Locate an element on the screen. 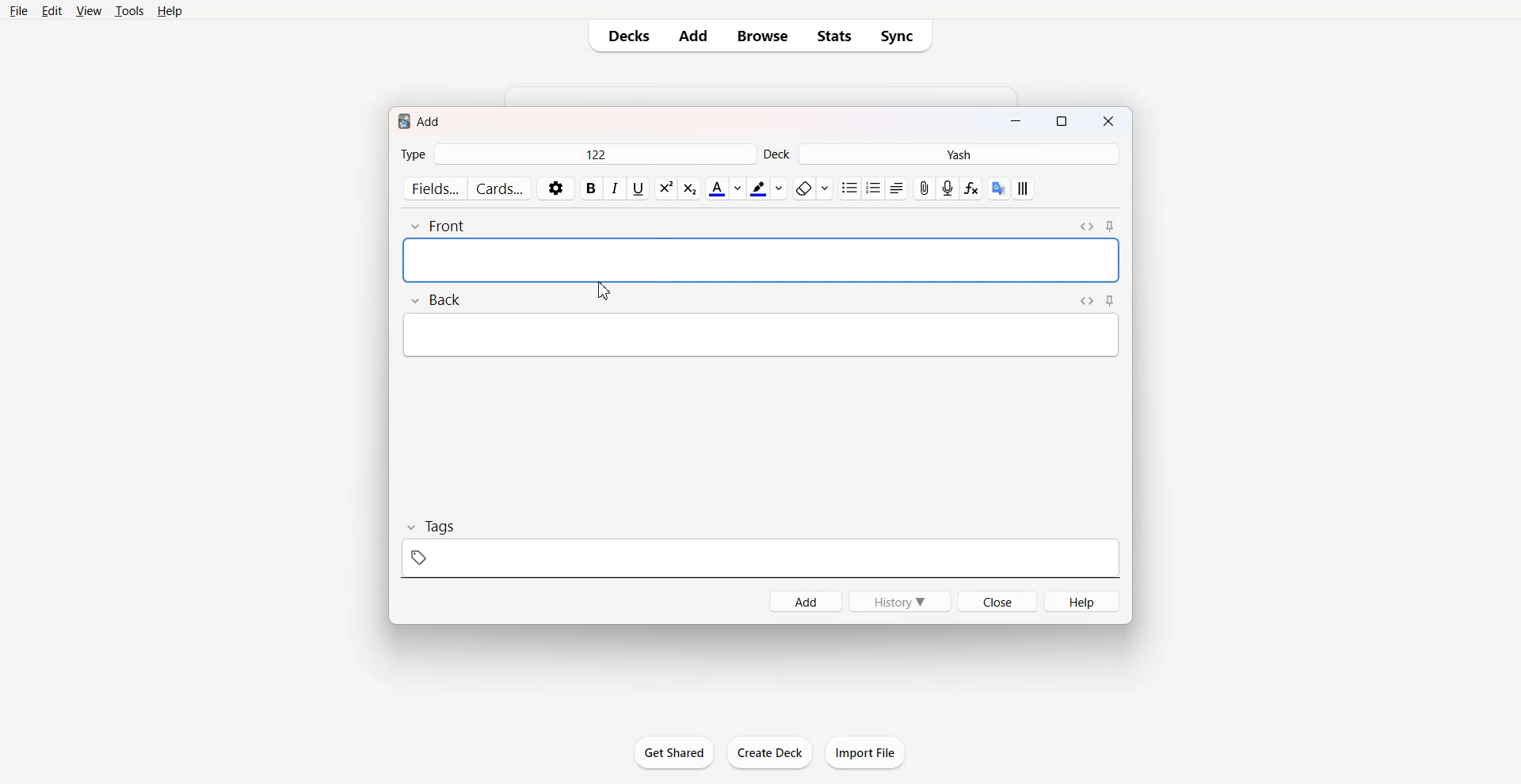  Deck is located at coordinates (942, 154).